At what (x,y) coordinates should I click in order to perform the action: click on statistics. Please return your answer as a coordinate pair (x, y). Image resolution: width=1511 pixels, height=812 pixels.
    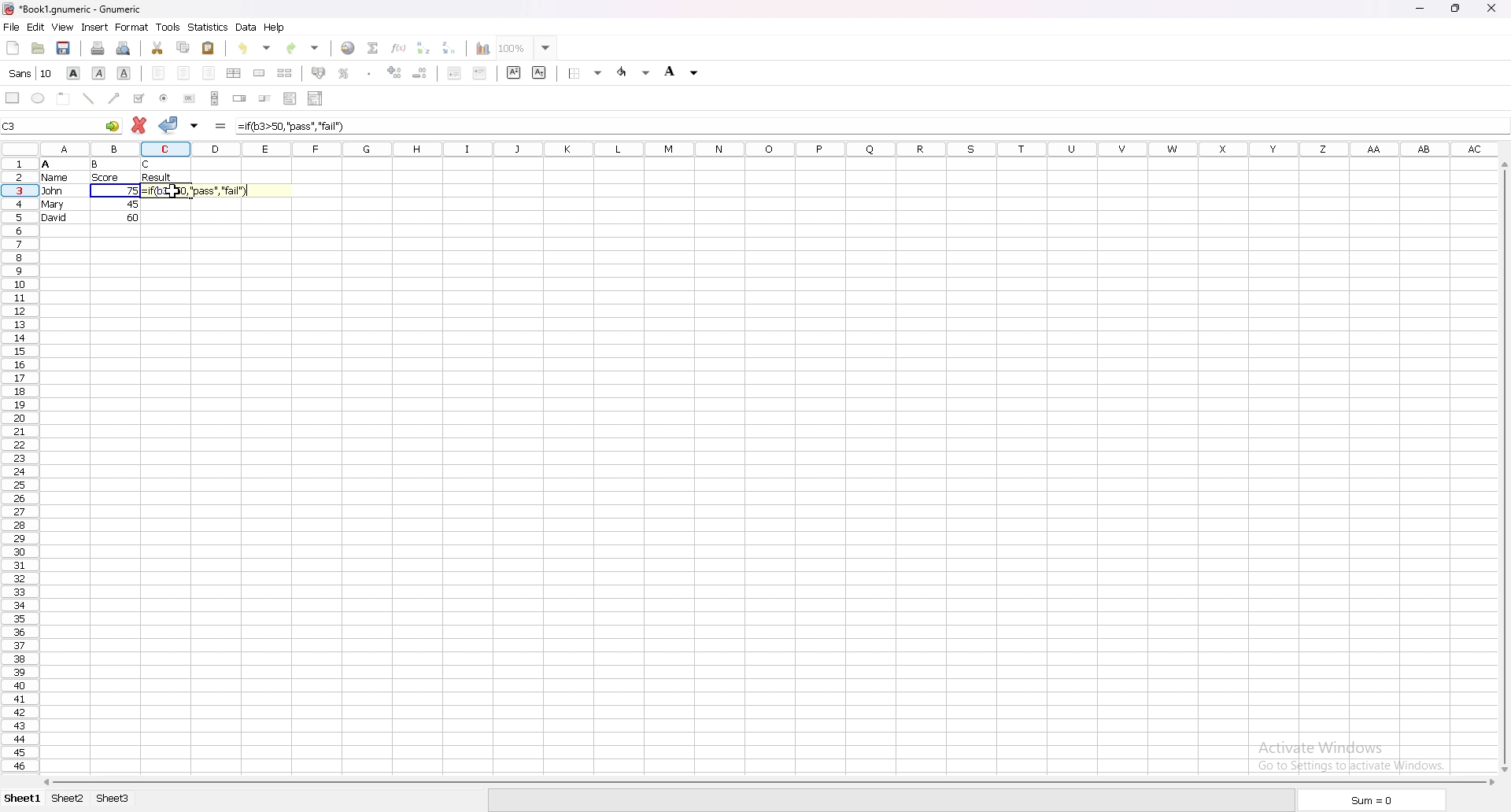
    Looking at the image, I should click on (208, 27).